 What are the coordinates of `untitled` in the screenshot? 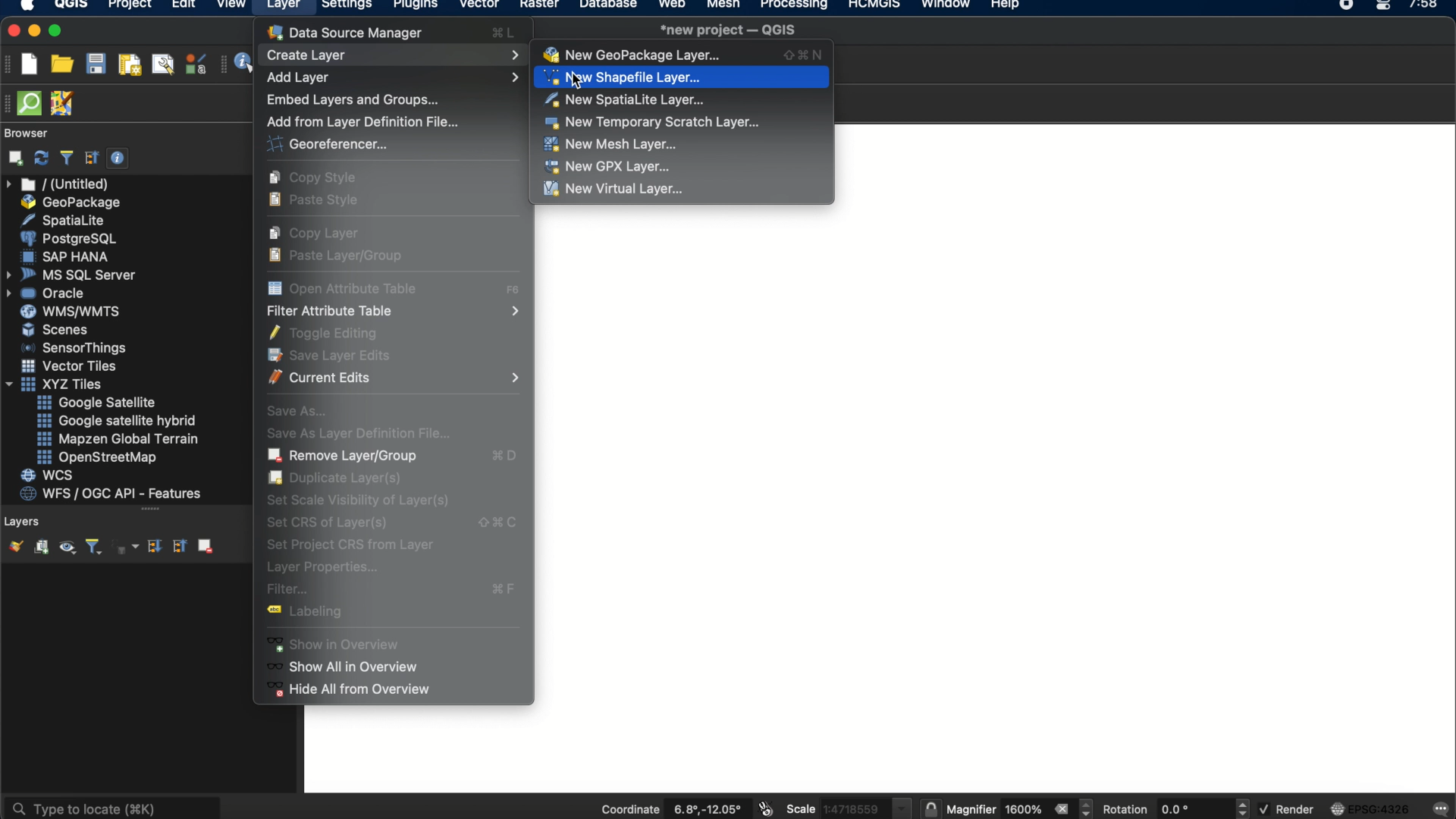 It's located at (59, 184).